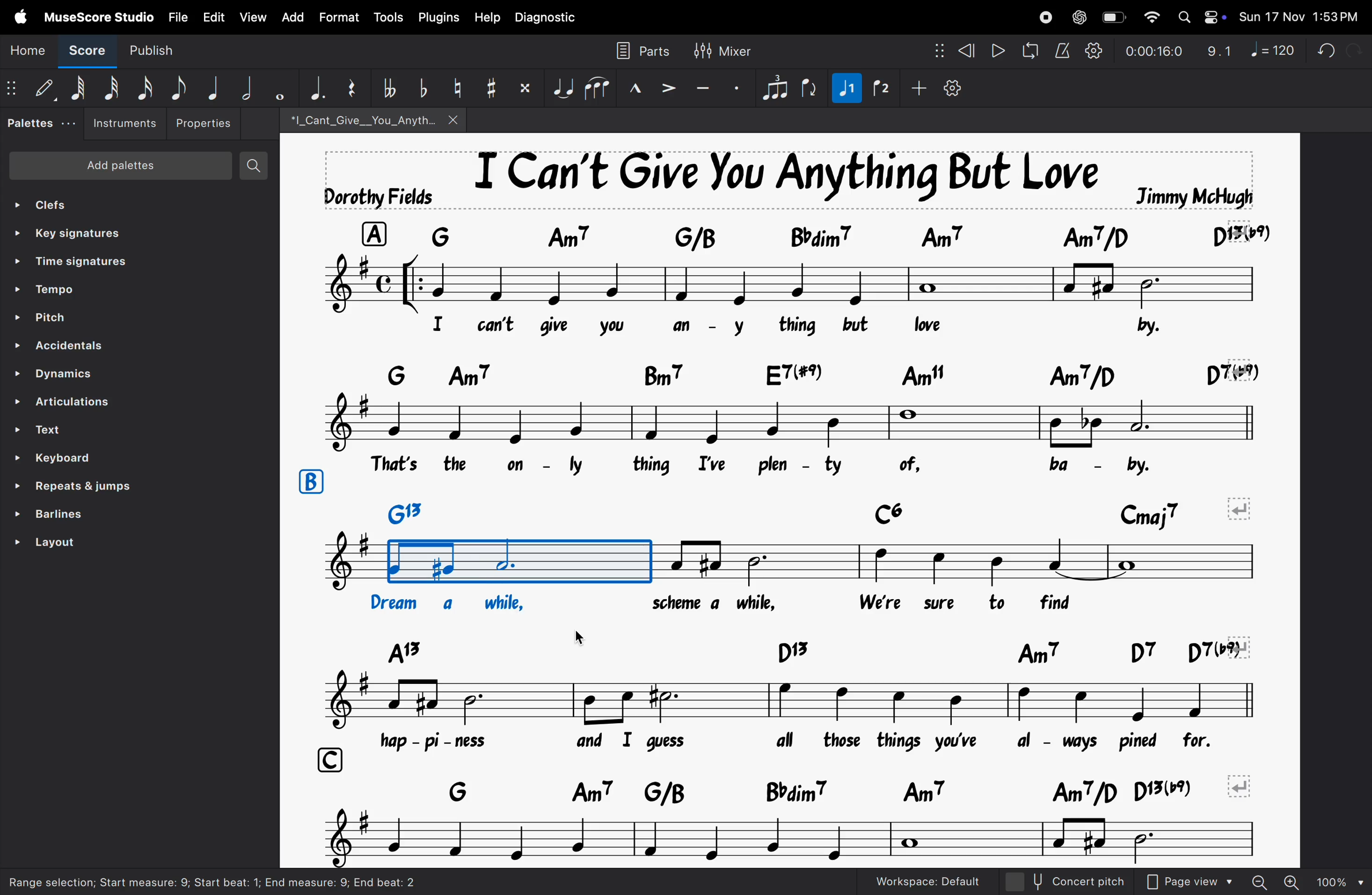  What do you see at coordinates (933, 48) in the screenshot?
I see `nodes` at bounding box center [933, 48].